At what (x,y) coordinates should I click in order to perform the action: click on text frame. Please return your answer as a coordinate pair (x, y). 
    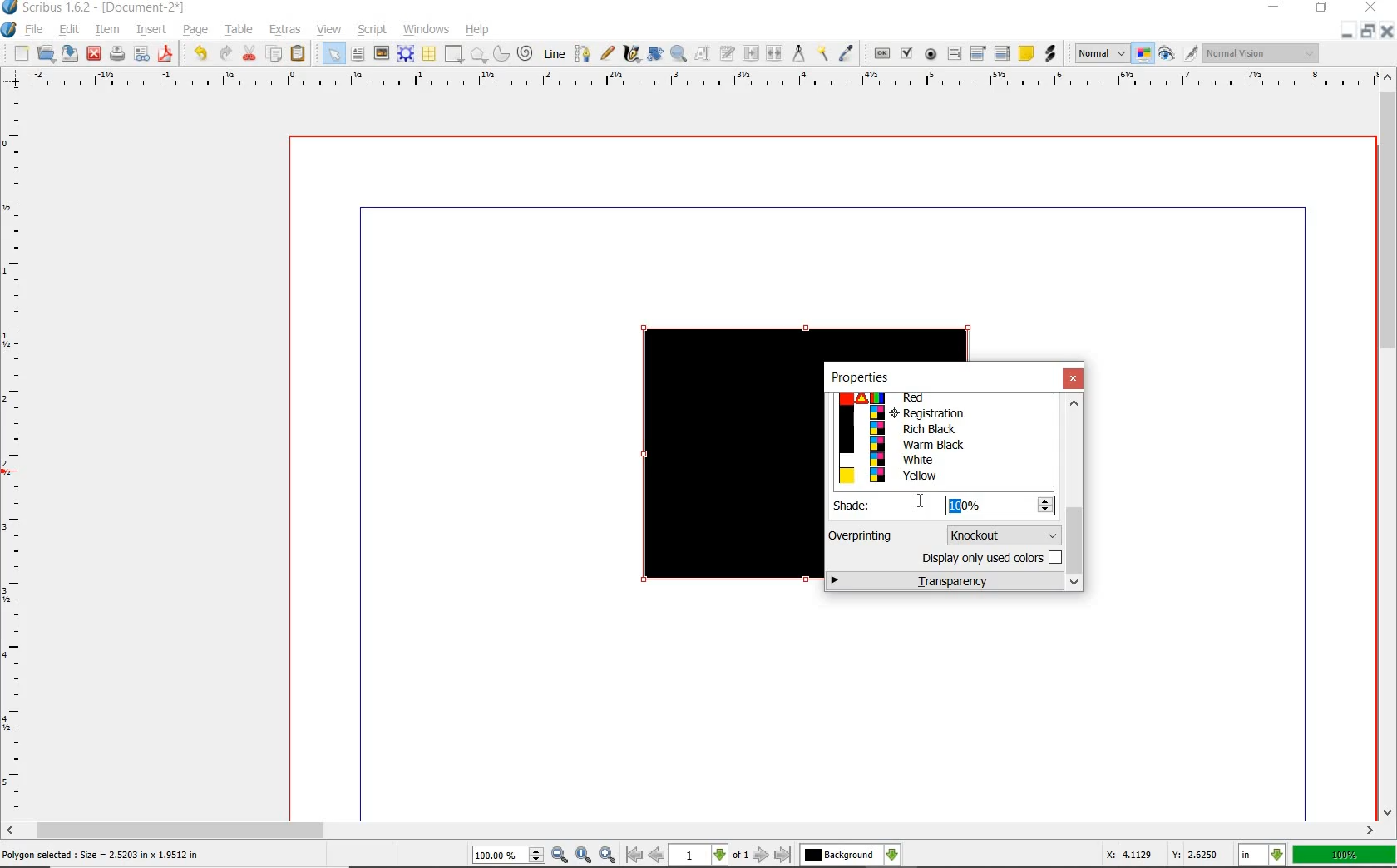
    Looking at the image, I should click on (360, 53).